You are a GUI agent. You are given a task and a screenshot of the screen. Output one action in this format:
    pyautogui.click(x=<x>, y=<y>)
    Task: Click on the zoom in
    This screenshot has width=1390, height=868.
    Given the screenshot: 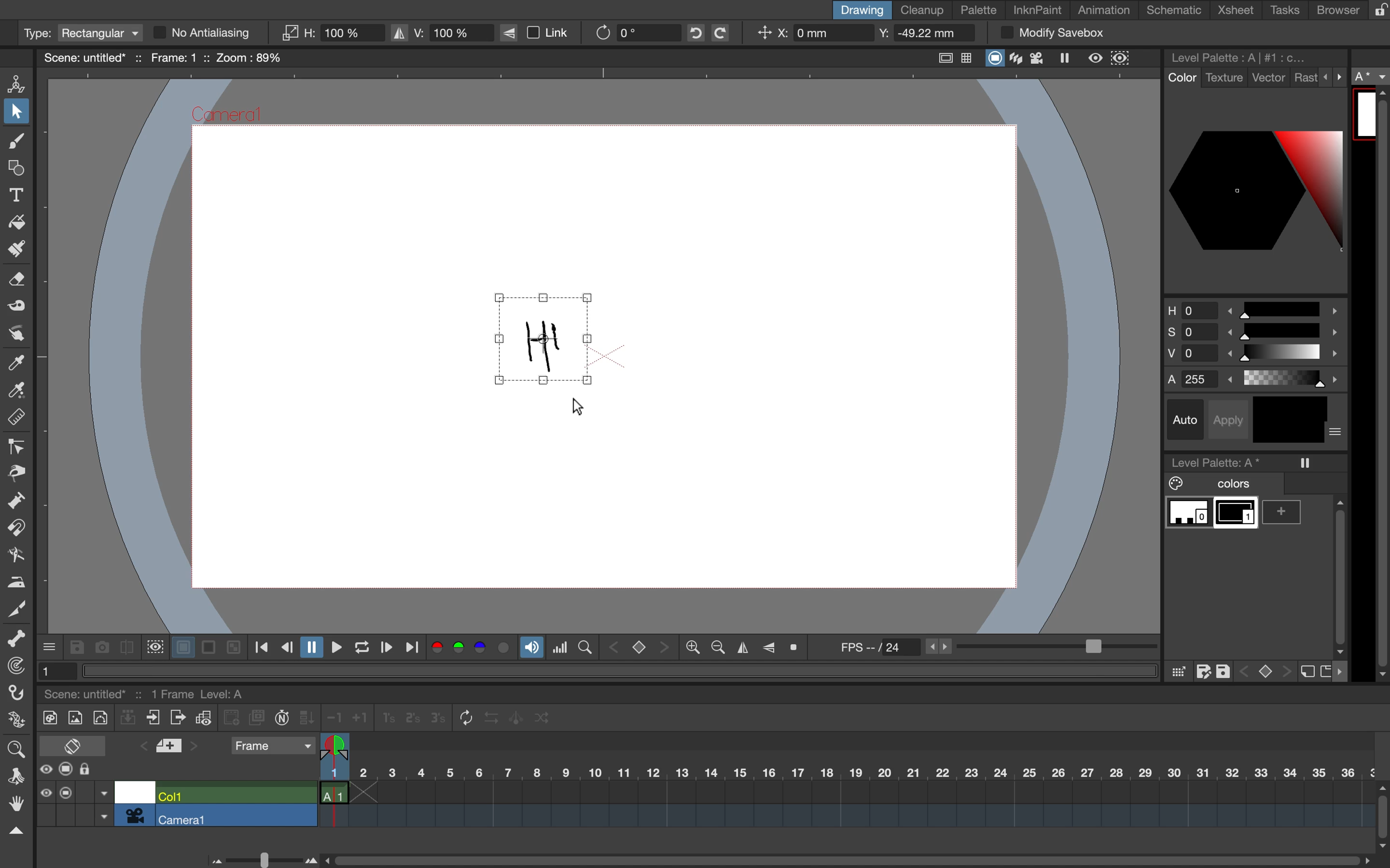 What is the action you would take?
    pyautogui.click(x=715, y=648)
    